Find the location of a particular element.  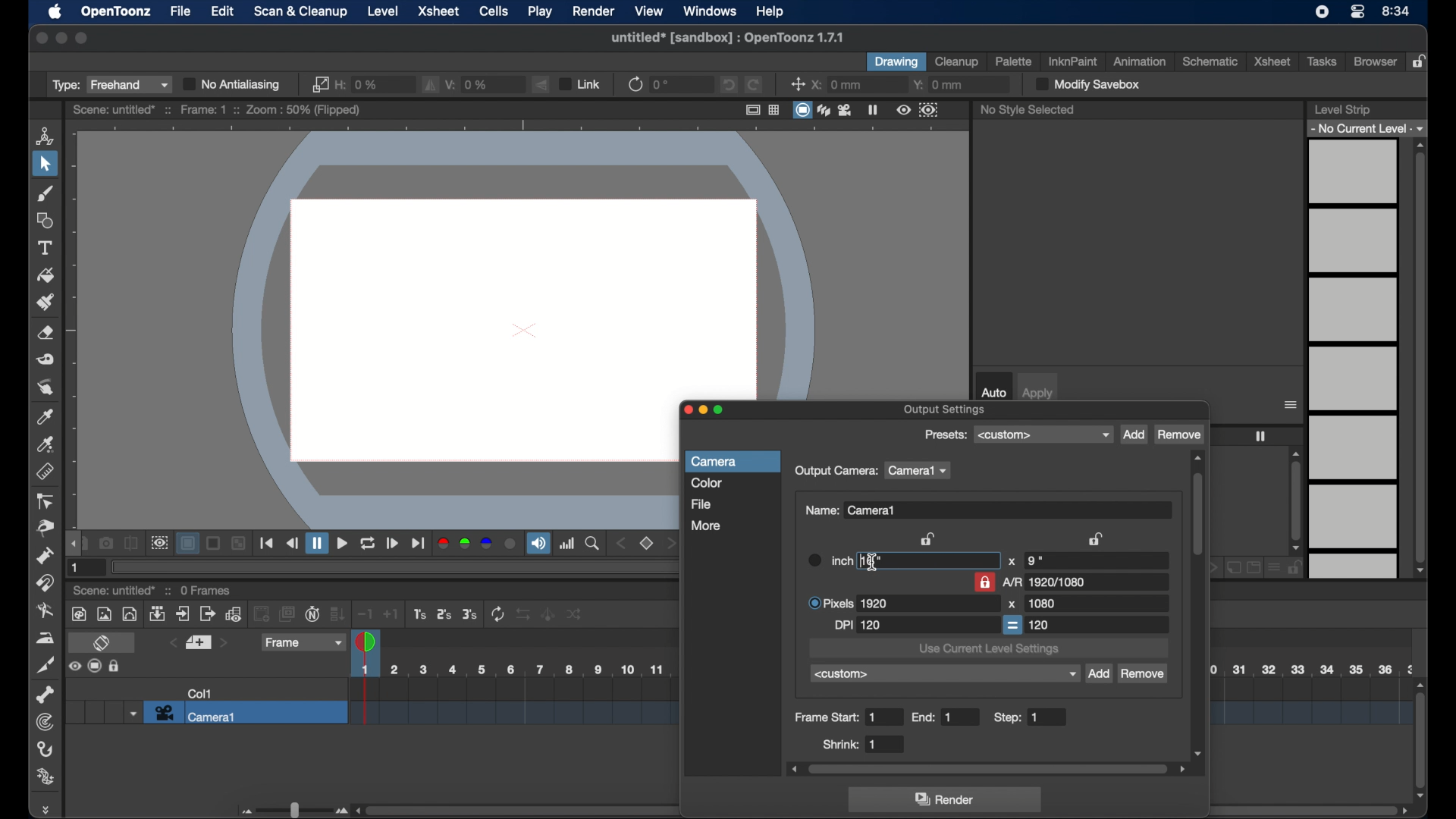

scroll box is located at coordinates (1420, 358).